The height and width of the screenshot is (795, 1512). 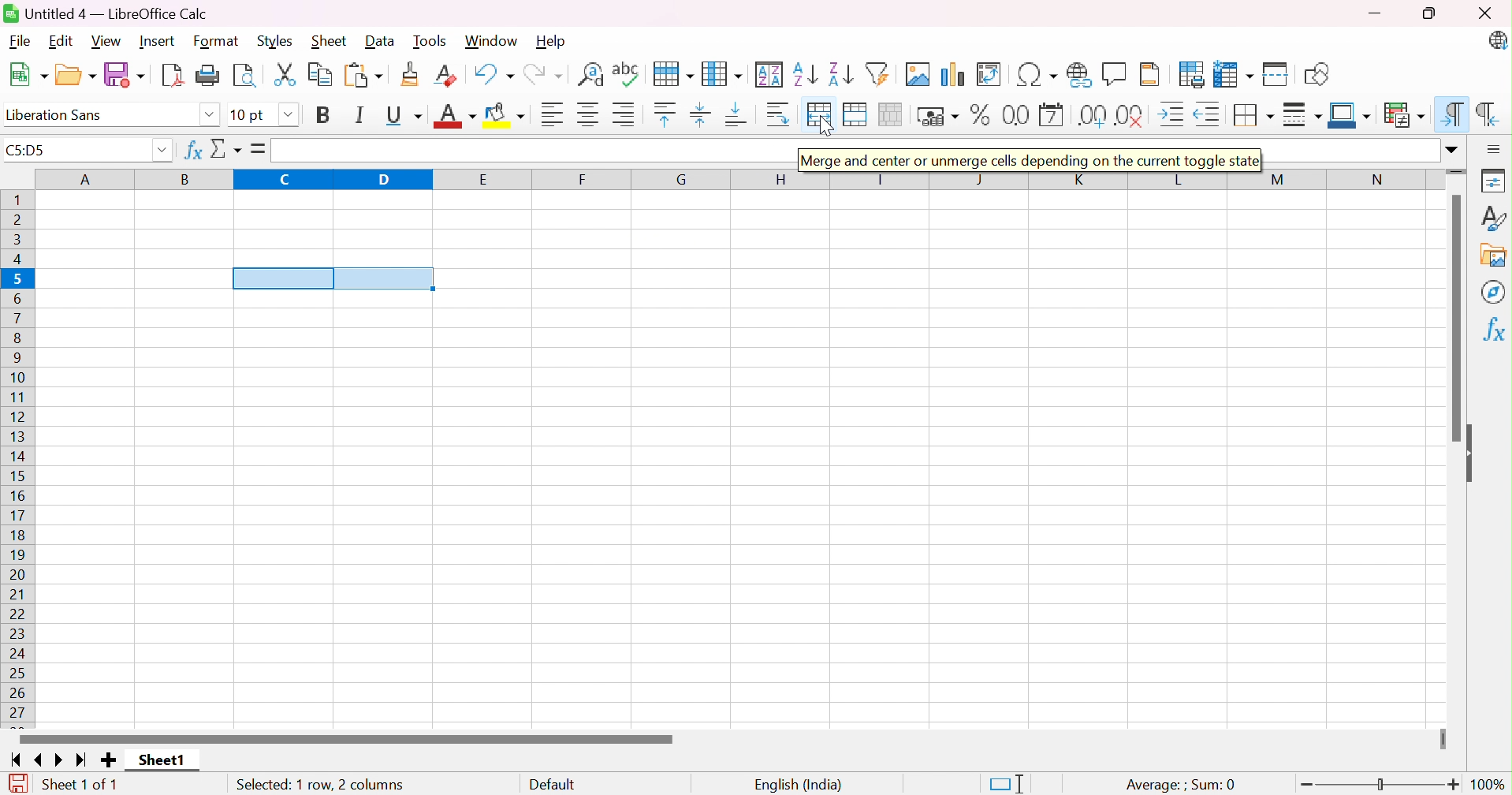 I want to click on Average: ;Sum: 0, so click(x=1180, y=782).